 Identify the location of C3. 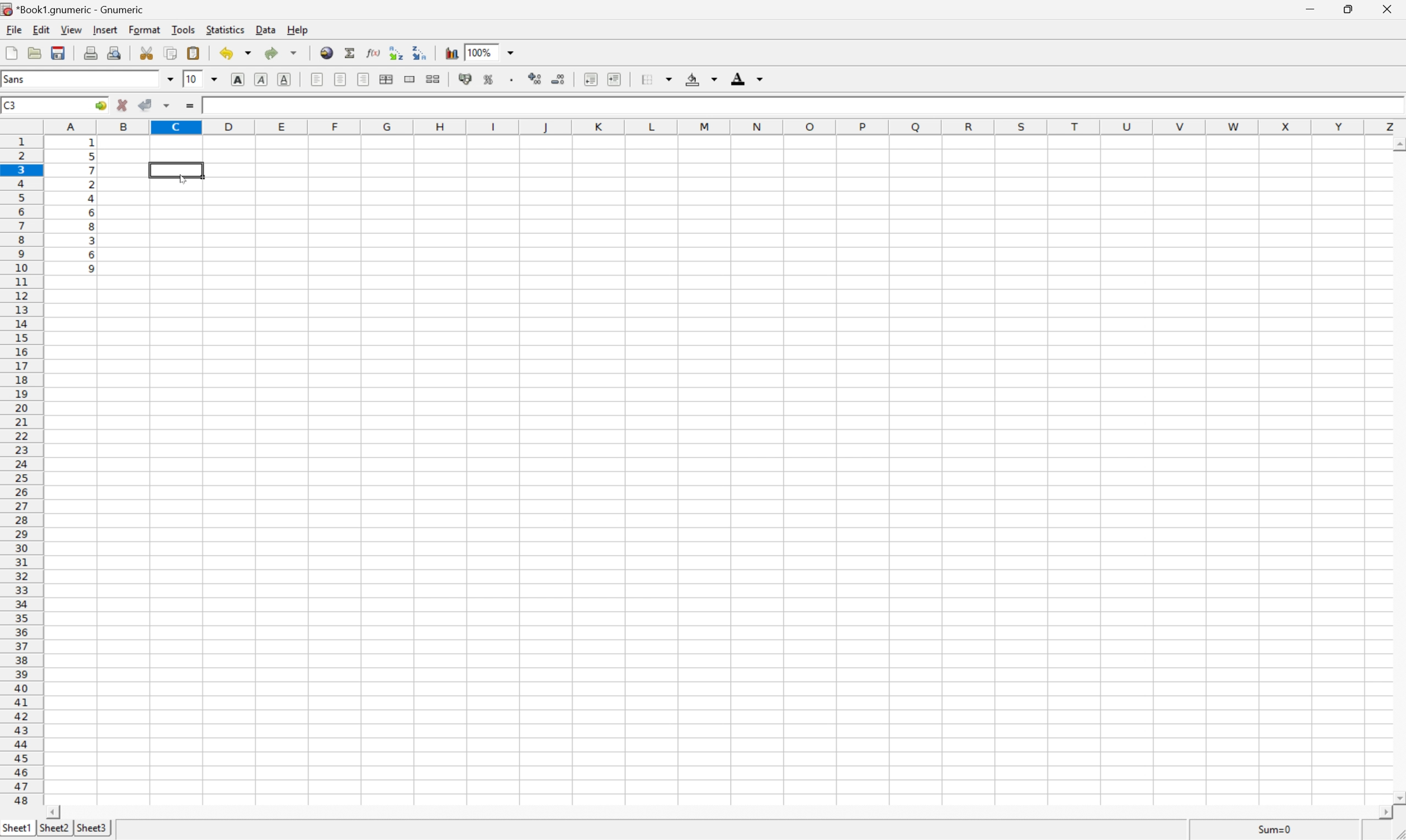
(17, 104).